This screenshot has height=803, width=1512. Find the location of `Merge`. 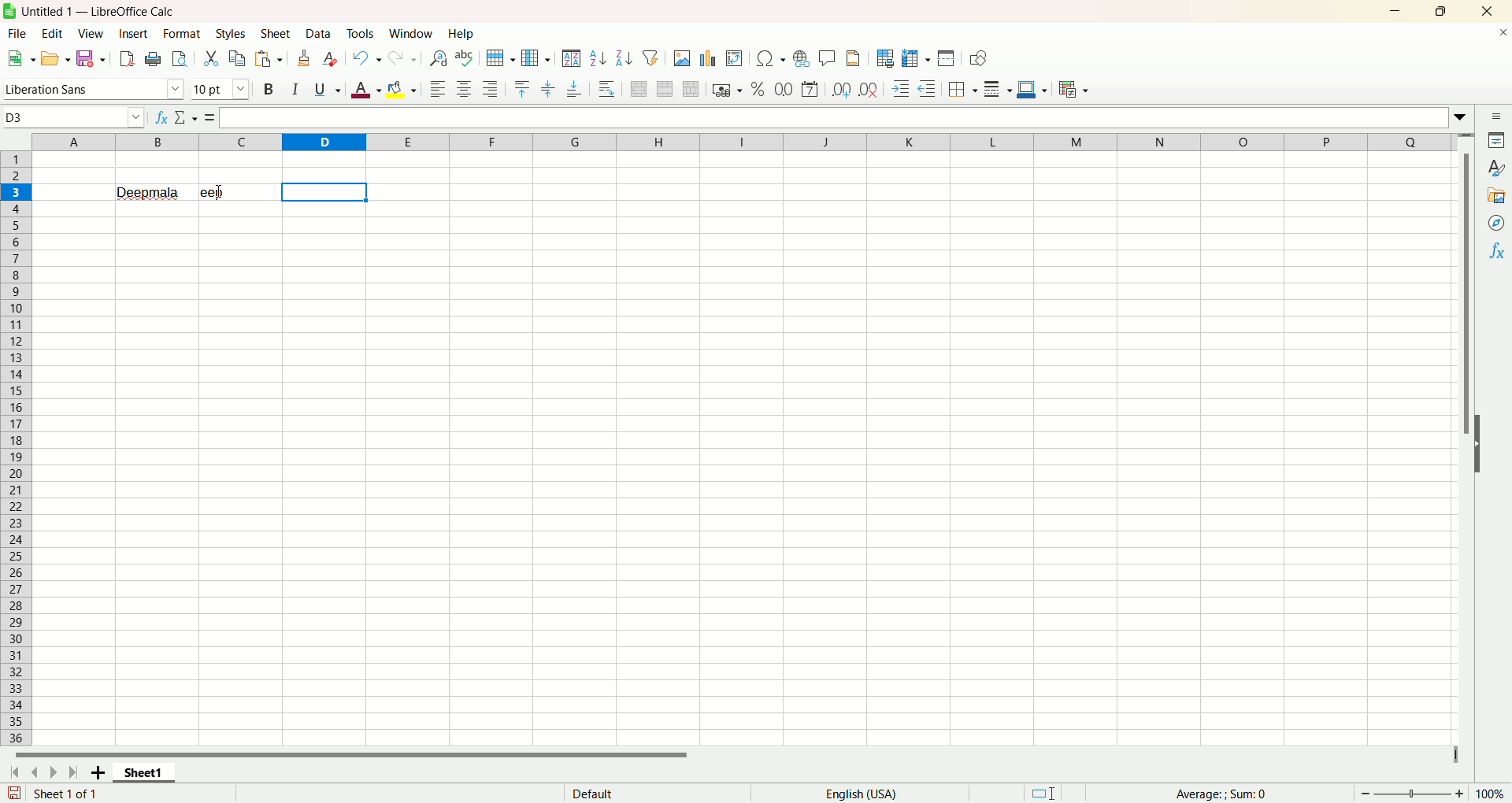

Merge is located at coordinates (665, 89).